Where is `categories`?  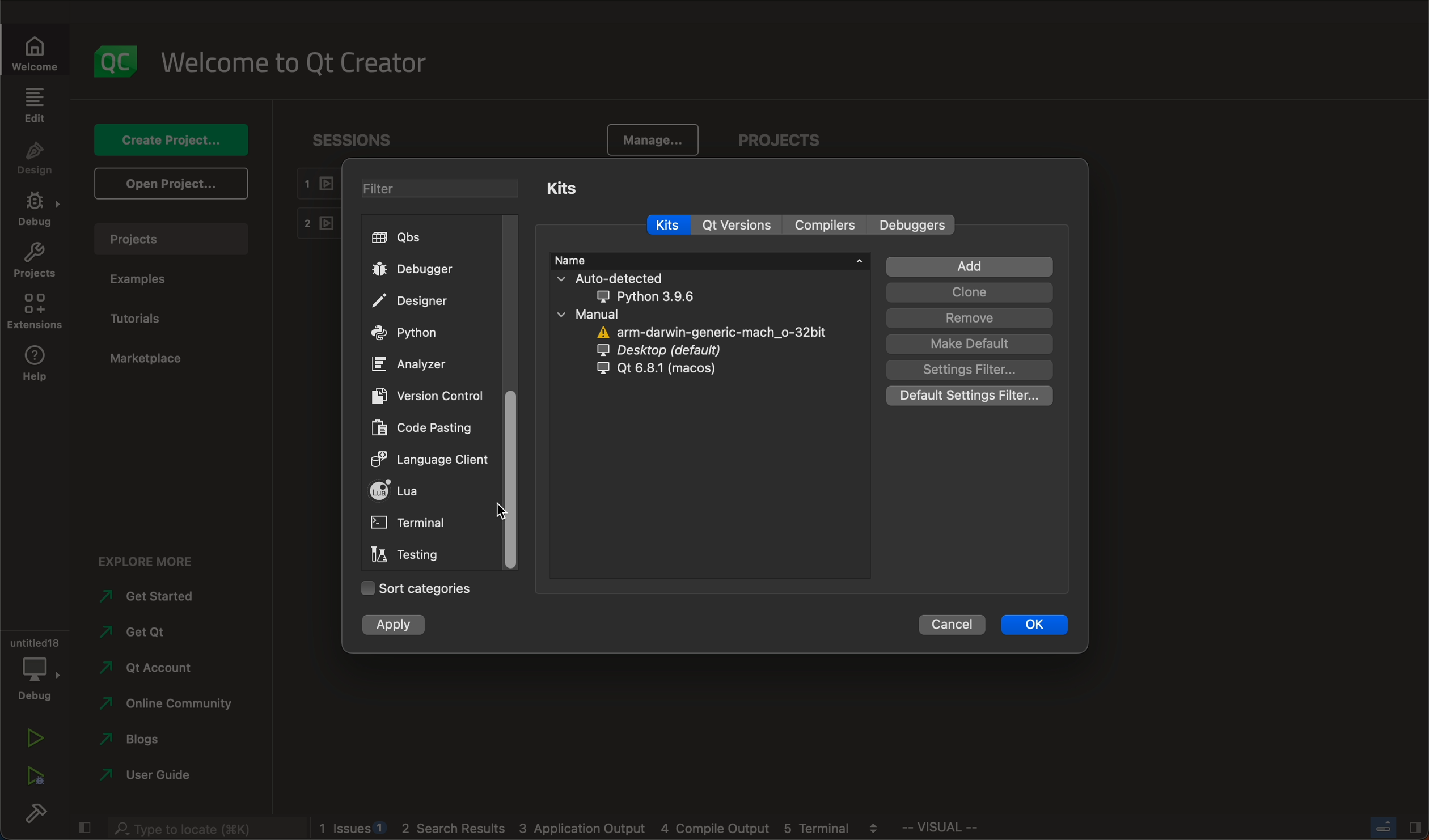
categories is located at coordinates (413, 590).